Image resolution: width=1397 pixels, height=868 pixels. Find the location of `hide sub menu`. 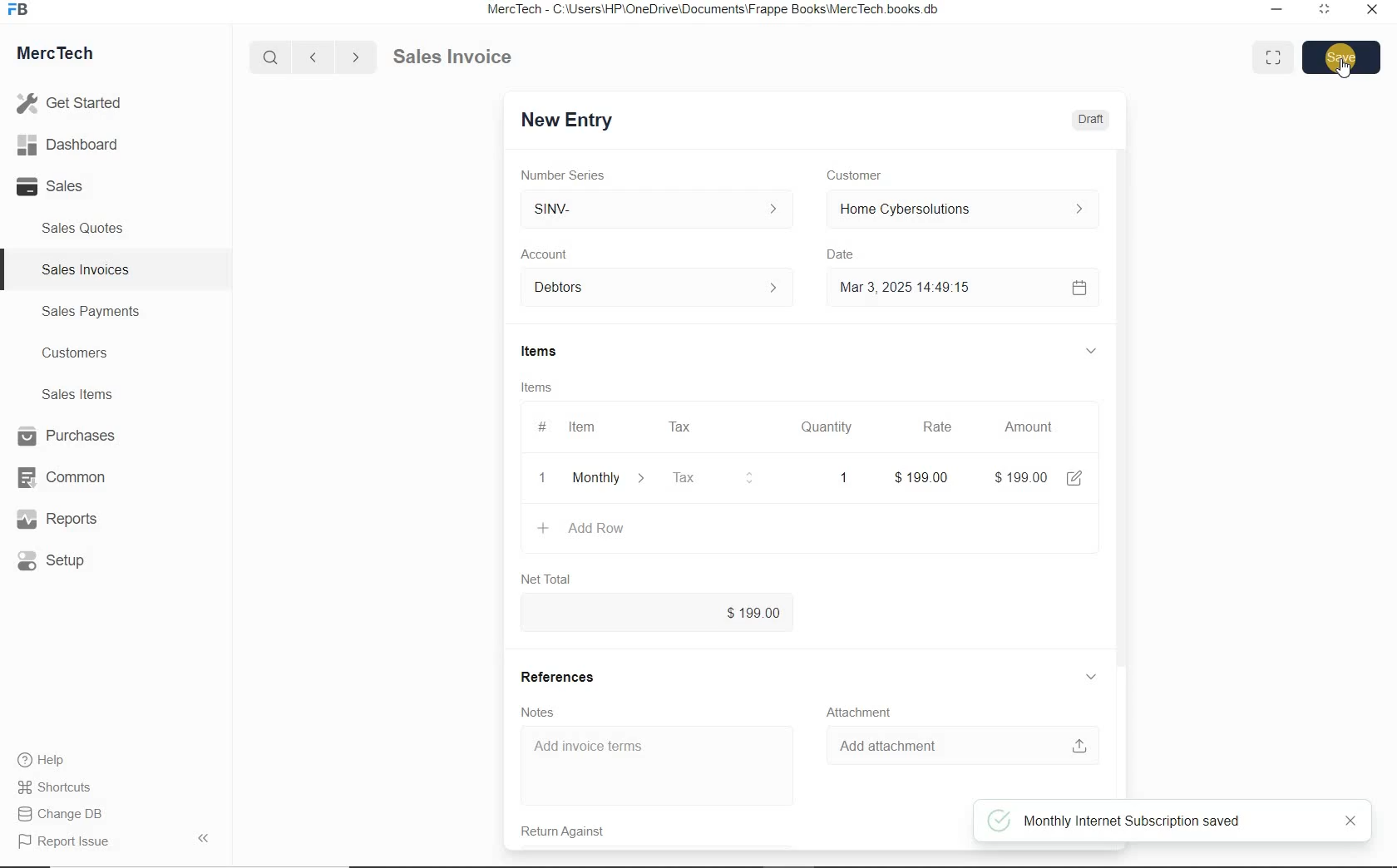

hide sub menu is located at coordinates (1091, 678).